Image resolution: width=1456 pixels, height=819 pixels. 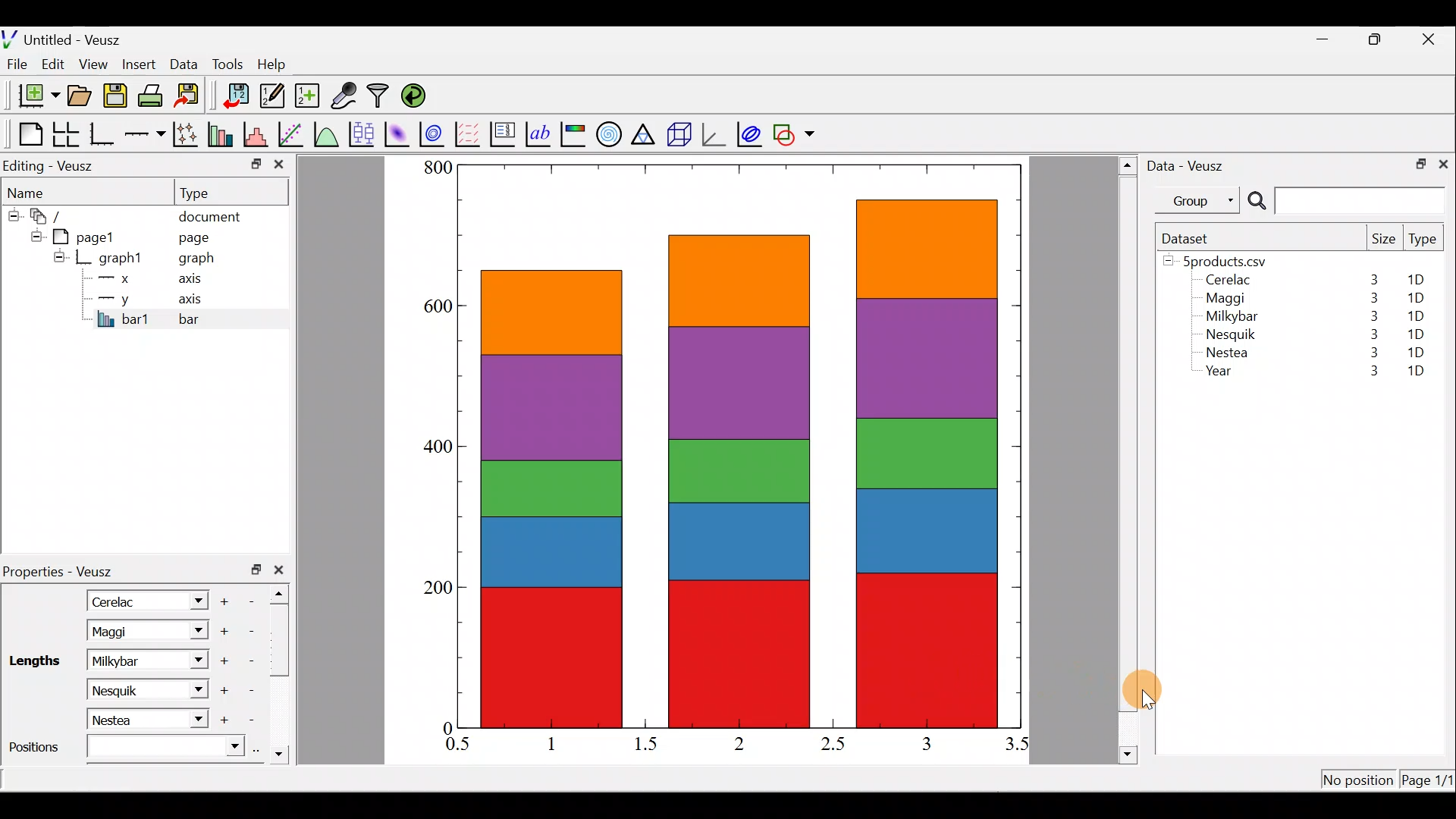 I want to click on Editing - Veusz, so click(x=52, y=165).